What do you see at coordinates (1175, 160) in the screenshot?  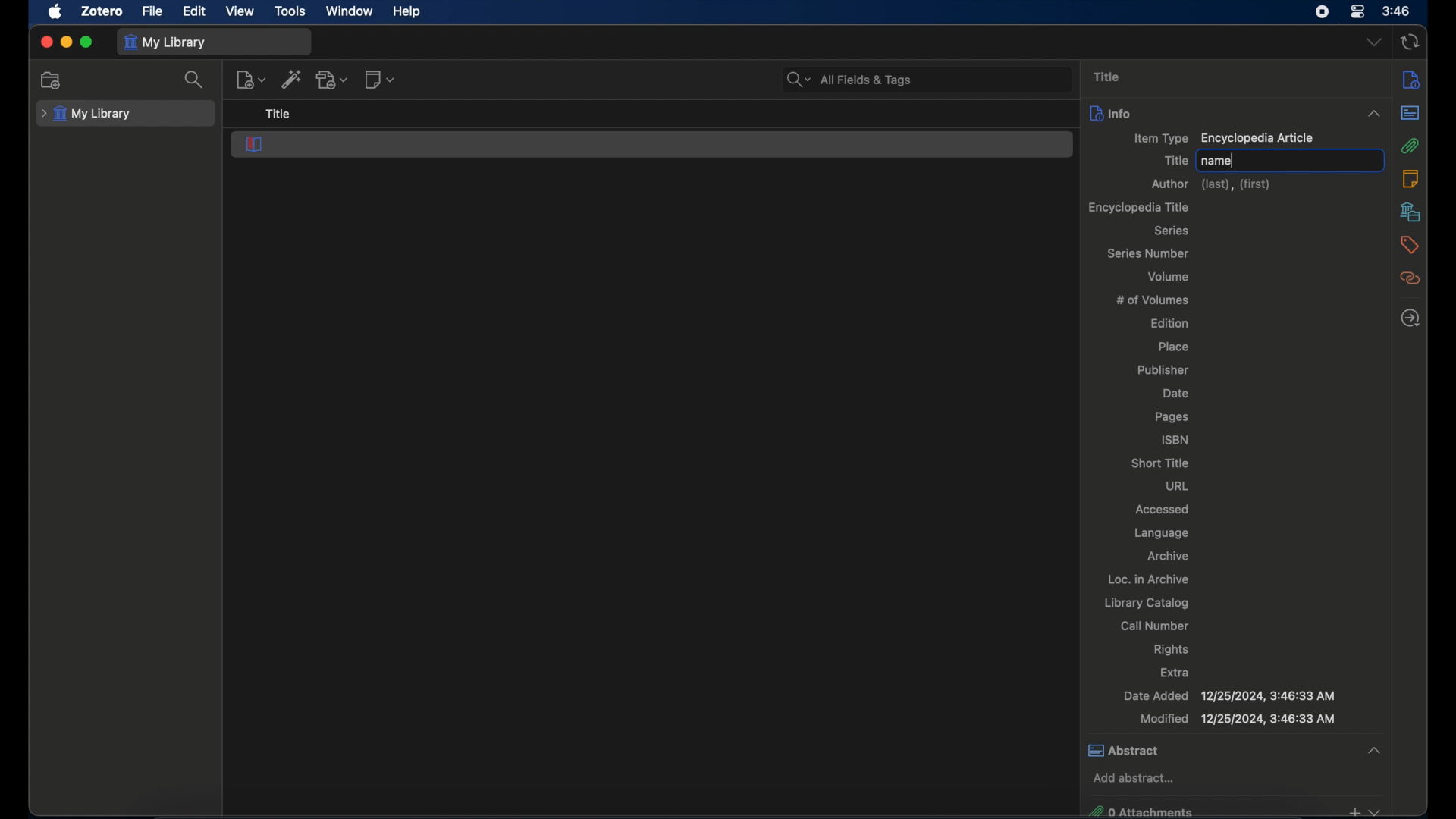 I see `title` at bounding box center [1175, 160].